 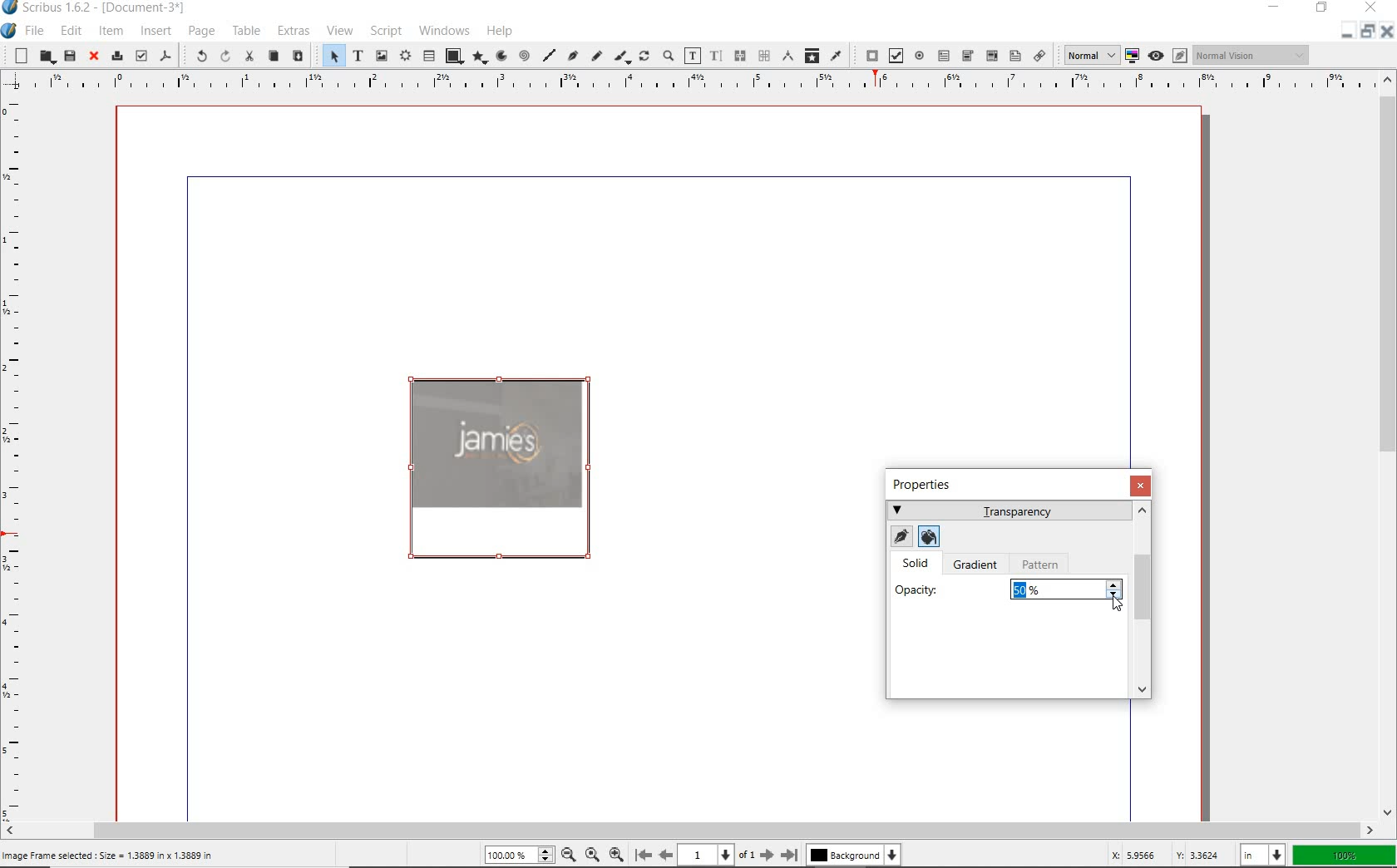 What do you see at coordinates (1387, 31) in the screenshot?
I see `close` at bounding box center [1387, 31].